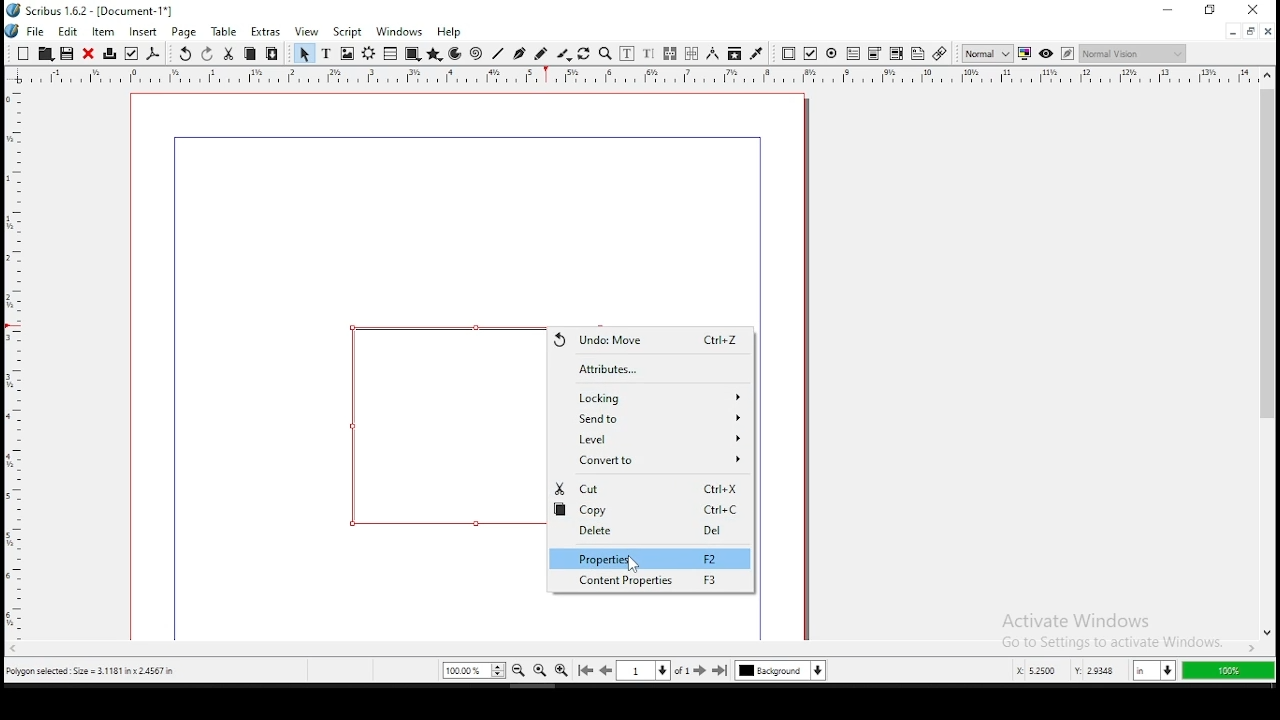 The width and height of the screenshot is (1280, 720). I want to click on save as pdf, so click(153, 54).